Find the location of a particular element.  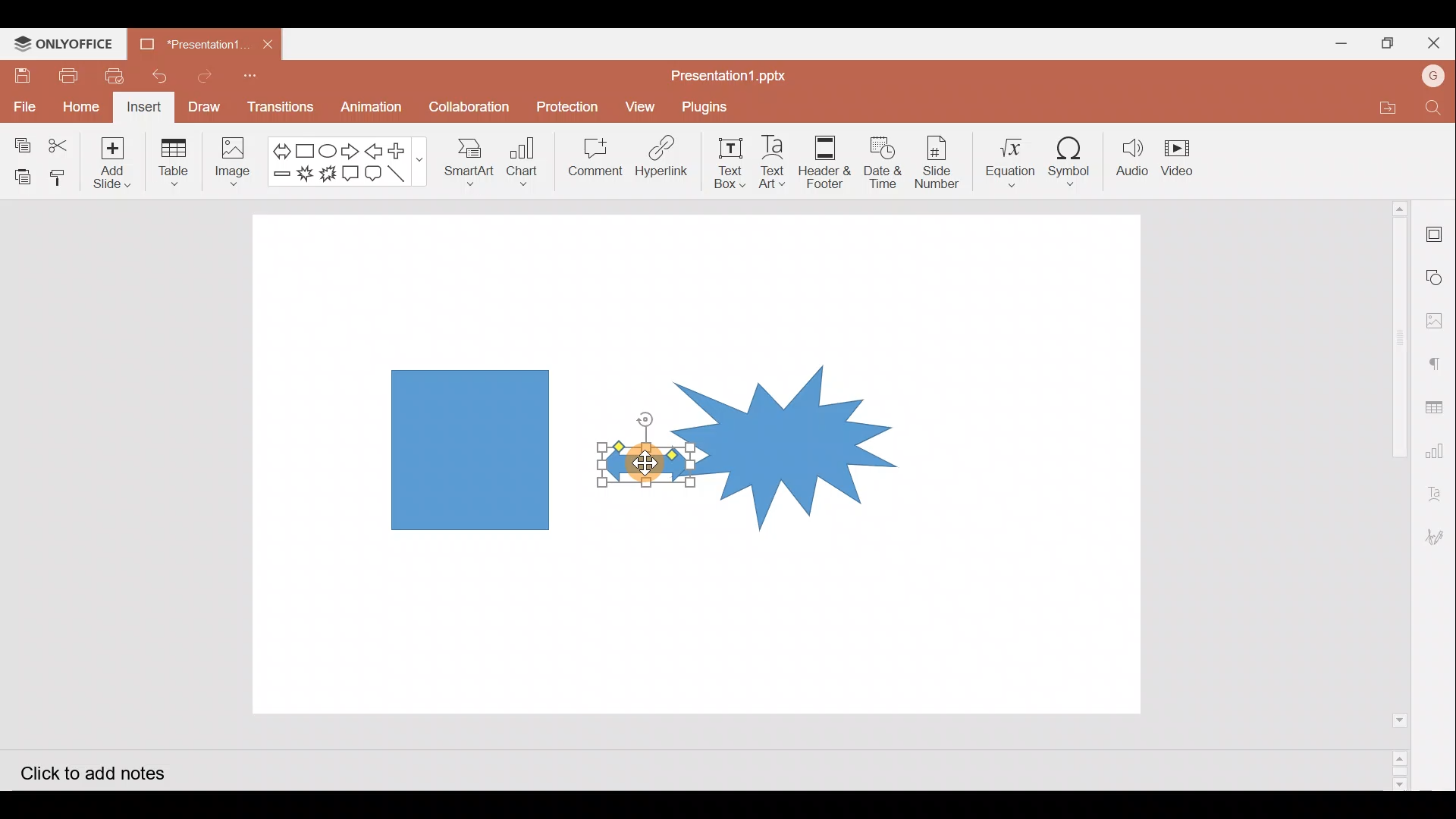

Presentation1.pptx is located at coordinates (725, 75).